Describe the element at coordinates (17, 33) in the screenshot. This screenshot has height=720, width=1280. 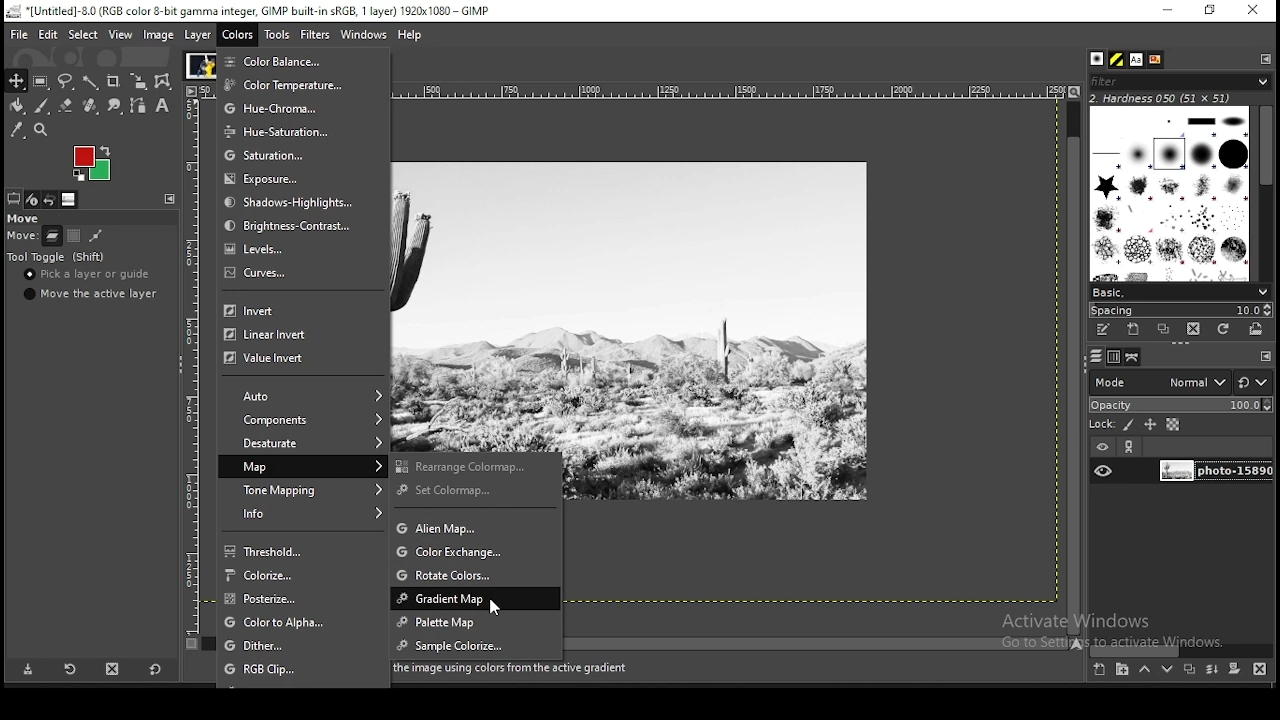
I see `file` at that location.